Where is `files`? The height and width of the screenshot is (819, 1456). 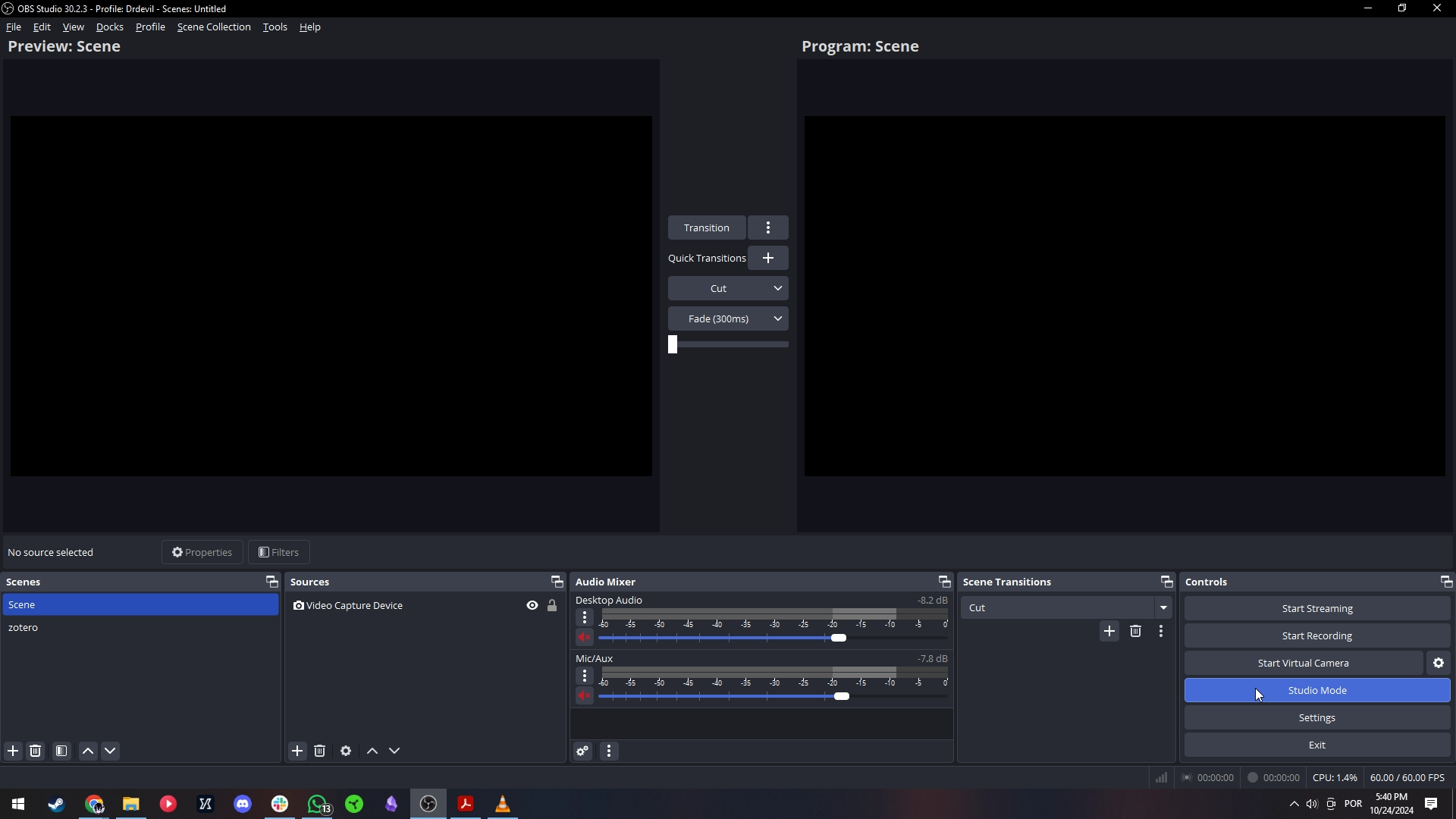
files is located at coordinates (130, 805).